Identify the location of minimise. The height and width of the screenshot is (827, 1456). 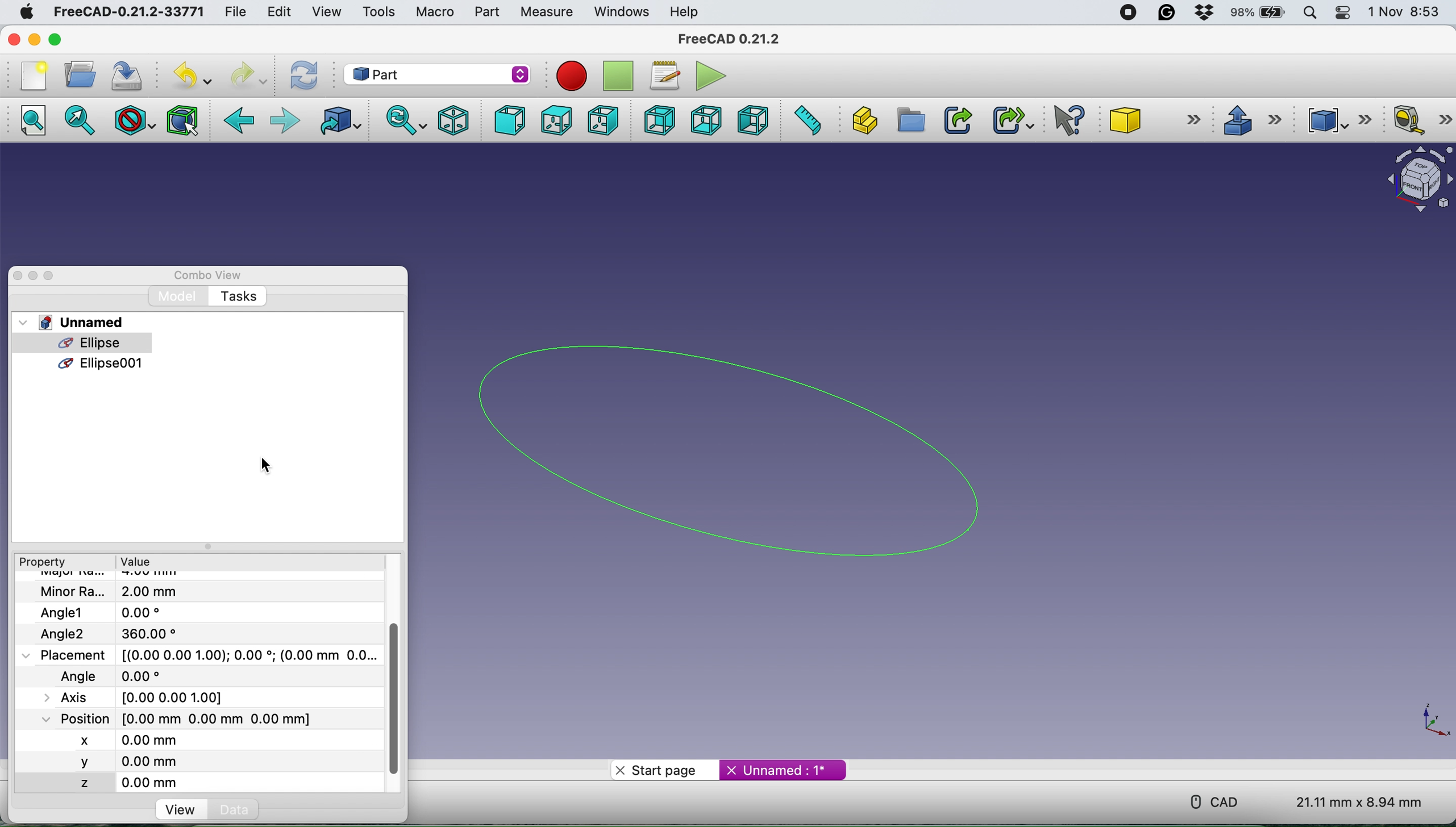
(32, 40).